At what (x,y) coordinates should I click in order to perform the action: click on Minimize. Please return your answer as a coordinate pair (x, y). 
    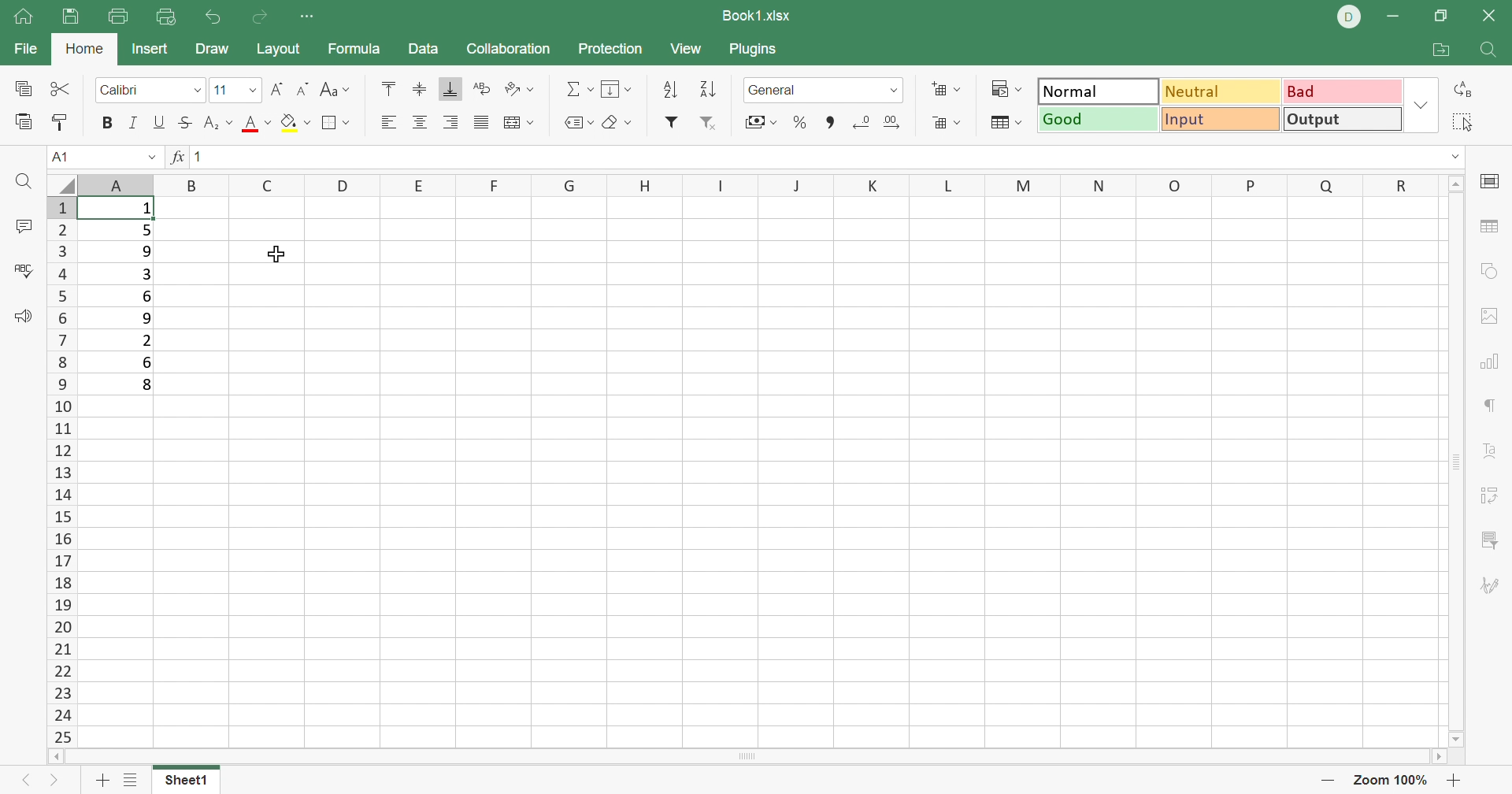
    Looking at the image, I should click on (1393, 16).